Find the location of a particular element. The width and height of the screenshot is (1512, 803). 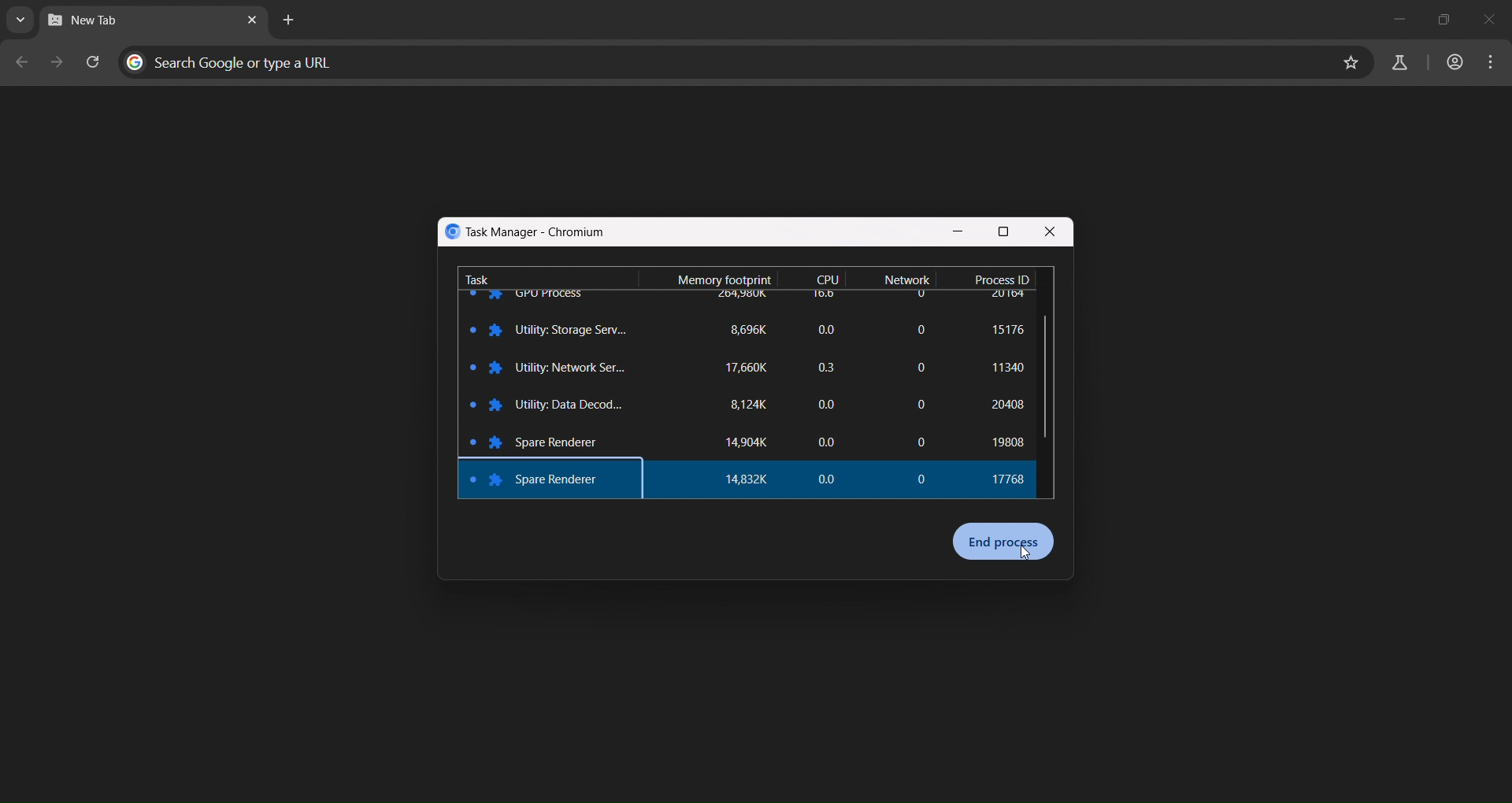

11340 is located at coordinates (1002, 369).